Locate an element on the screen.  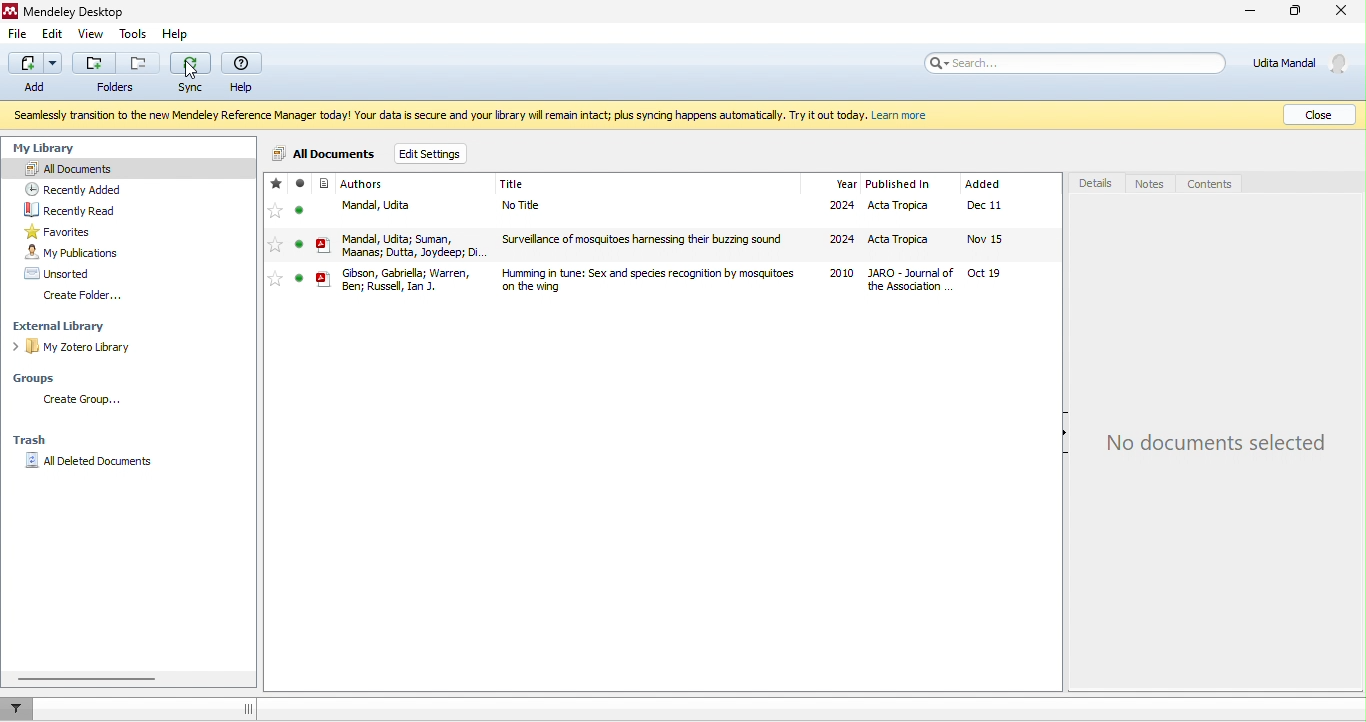
my zotero library is located at coordinates (78, 346).